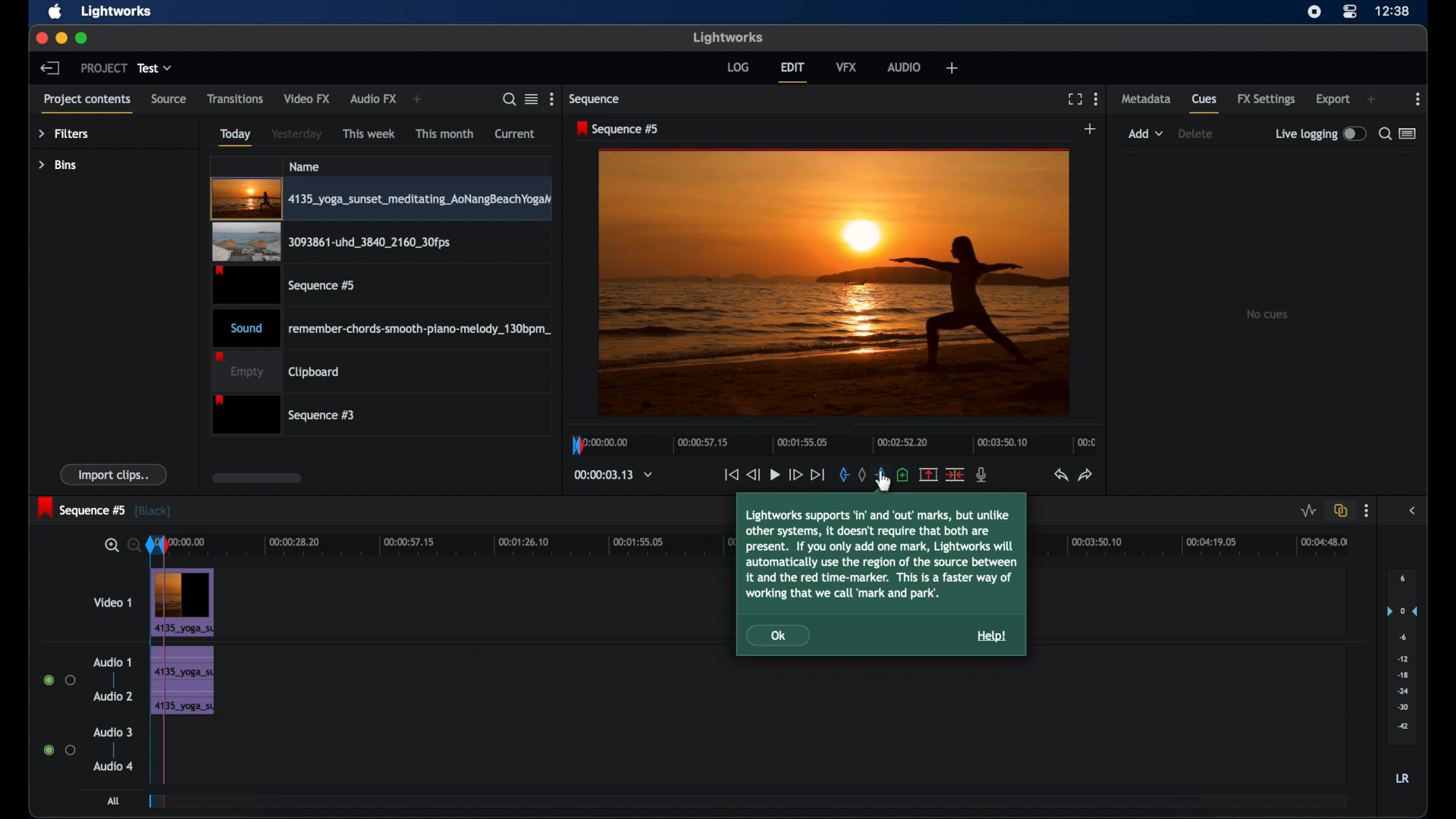  Describe the element at coordinates (532, 99) in the screenshot. I see `toggle between listened tile view` at that location.